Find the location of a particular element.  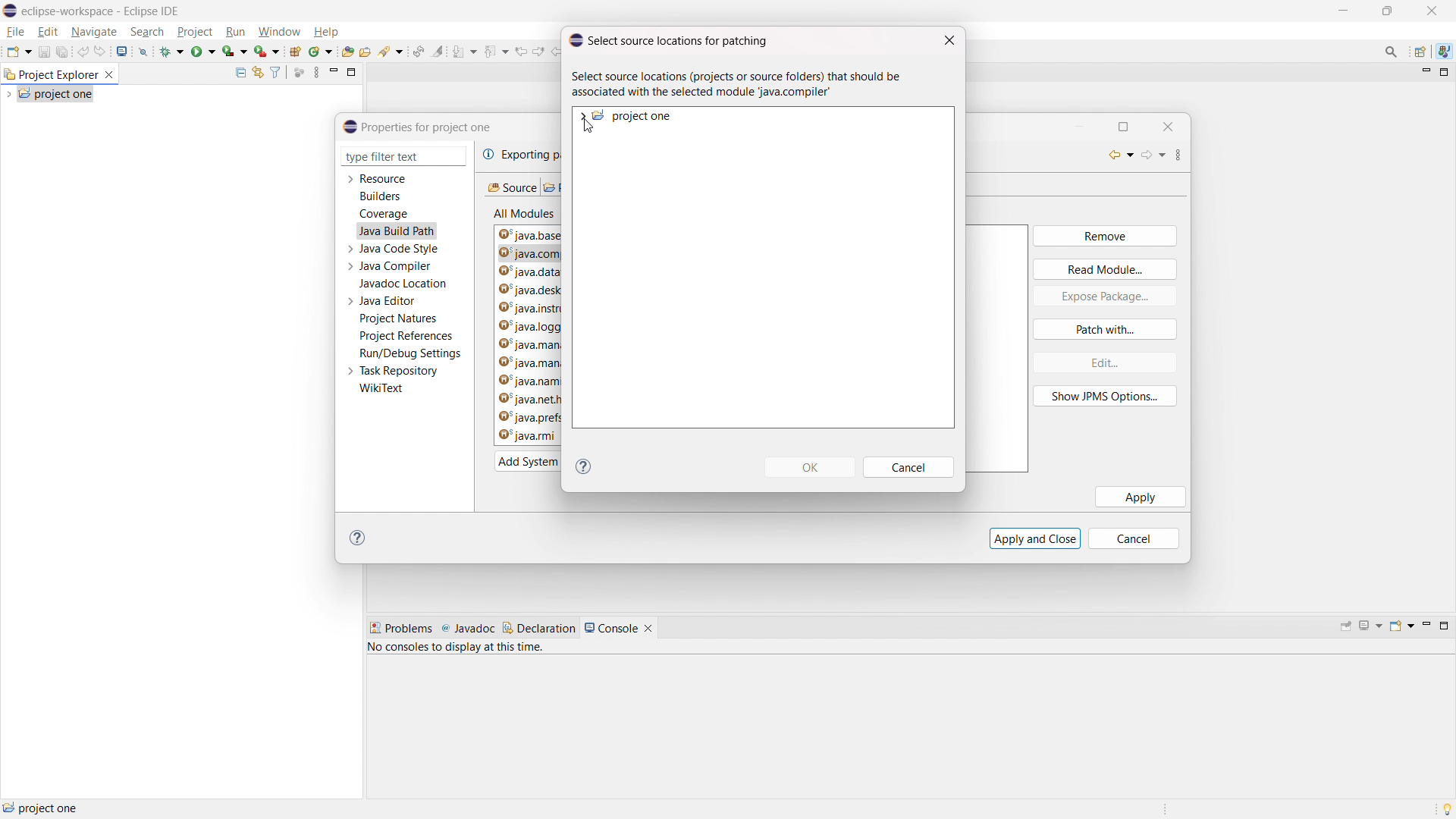

expand java code style is located at coordinates (350, 247).